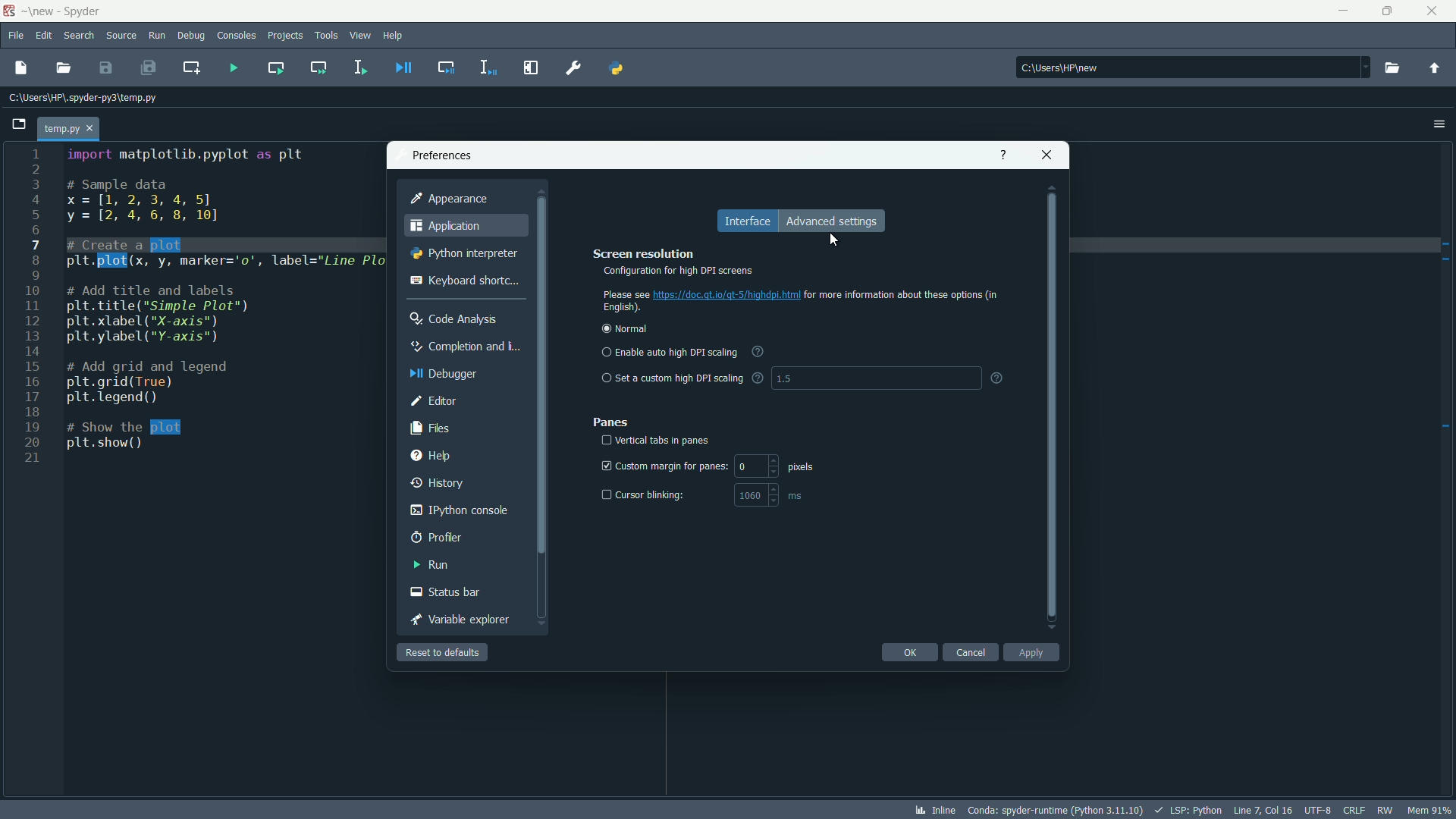 The width and height of the screenshot is (1456, 819). What do you see at coordinates (190, 35) in the screenshot?
I see `debug` at bounding box center [190, 35].